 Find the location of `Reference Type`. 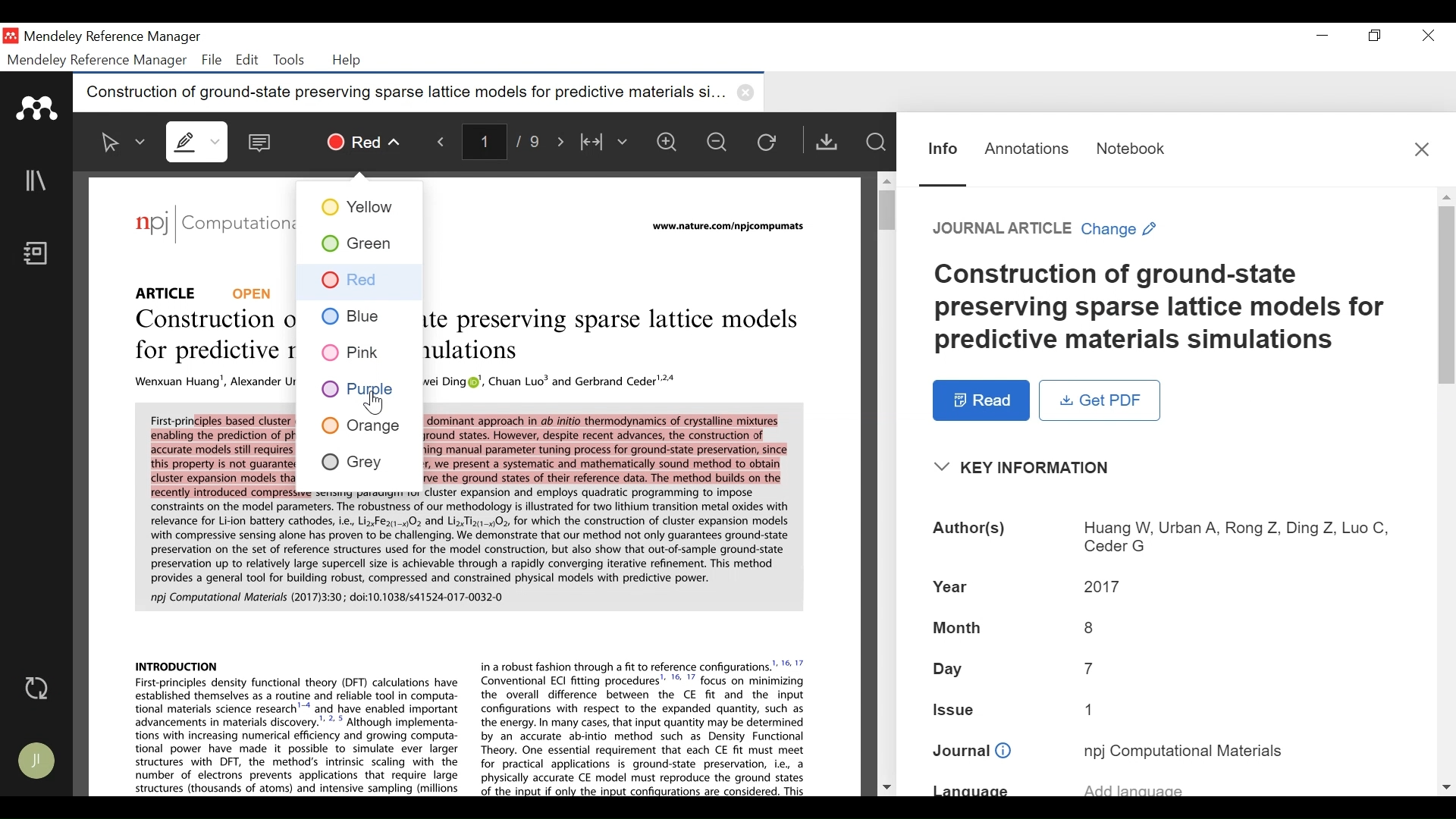

Reference Type is located at coordinates (1005, 229).